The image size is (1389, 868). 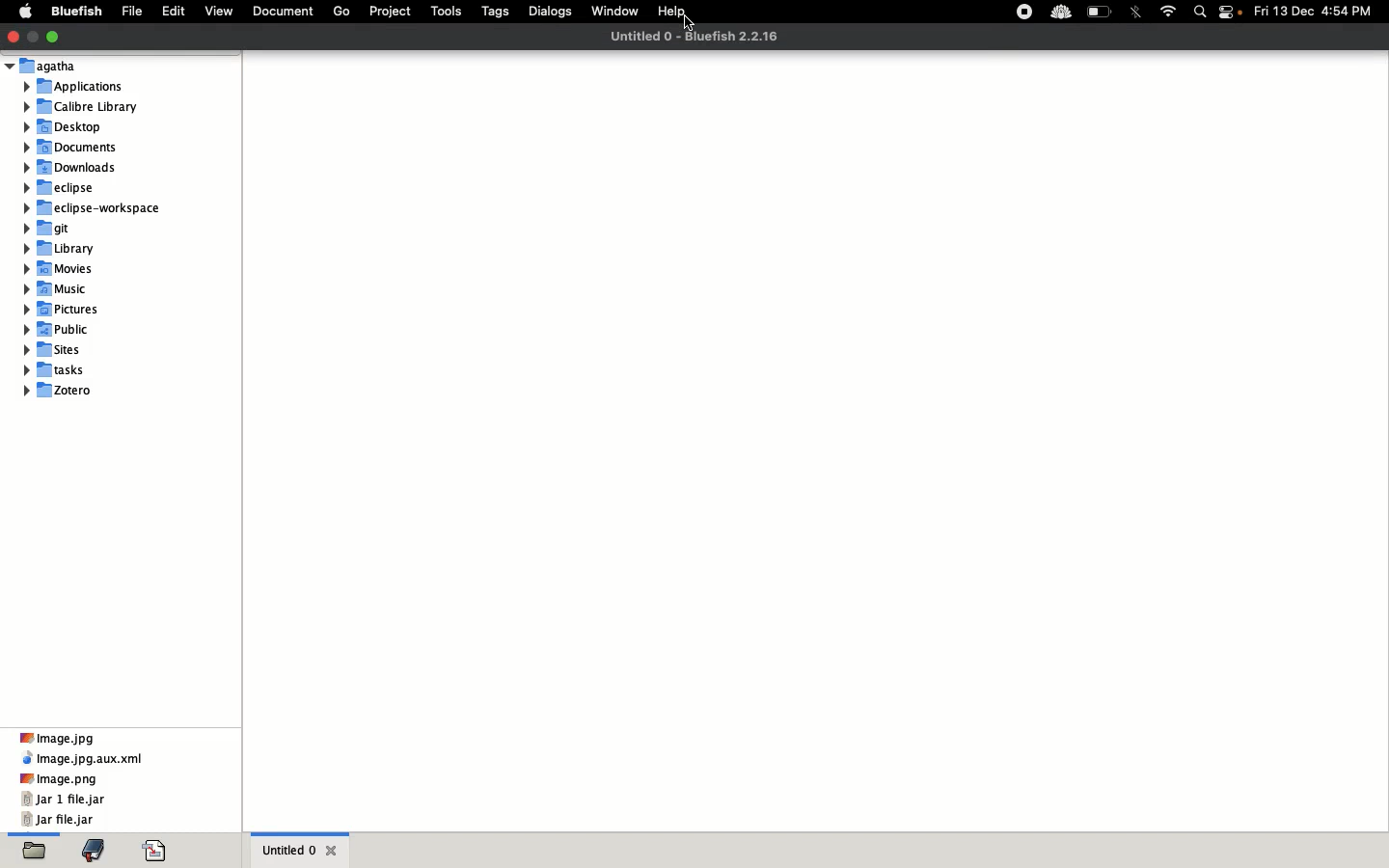 I want to click on Untitled, so click(x=286, y=850).